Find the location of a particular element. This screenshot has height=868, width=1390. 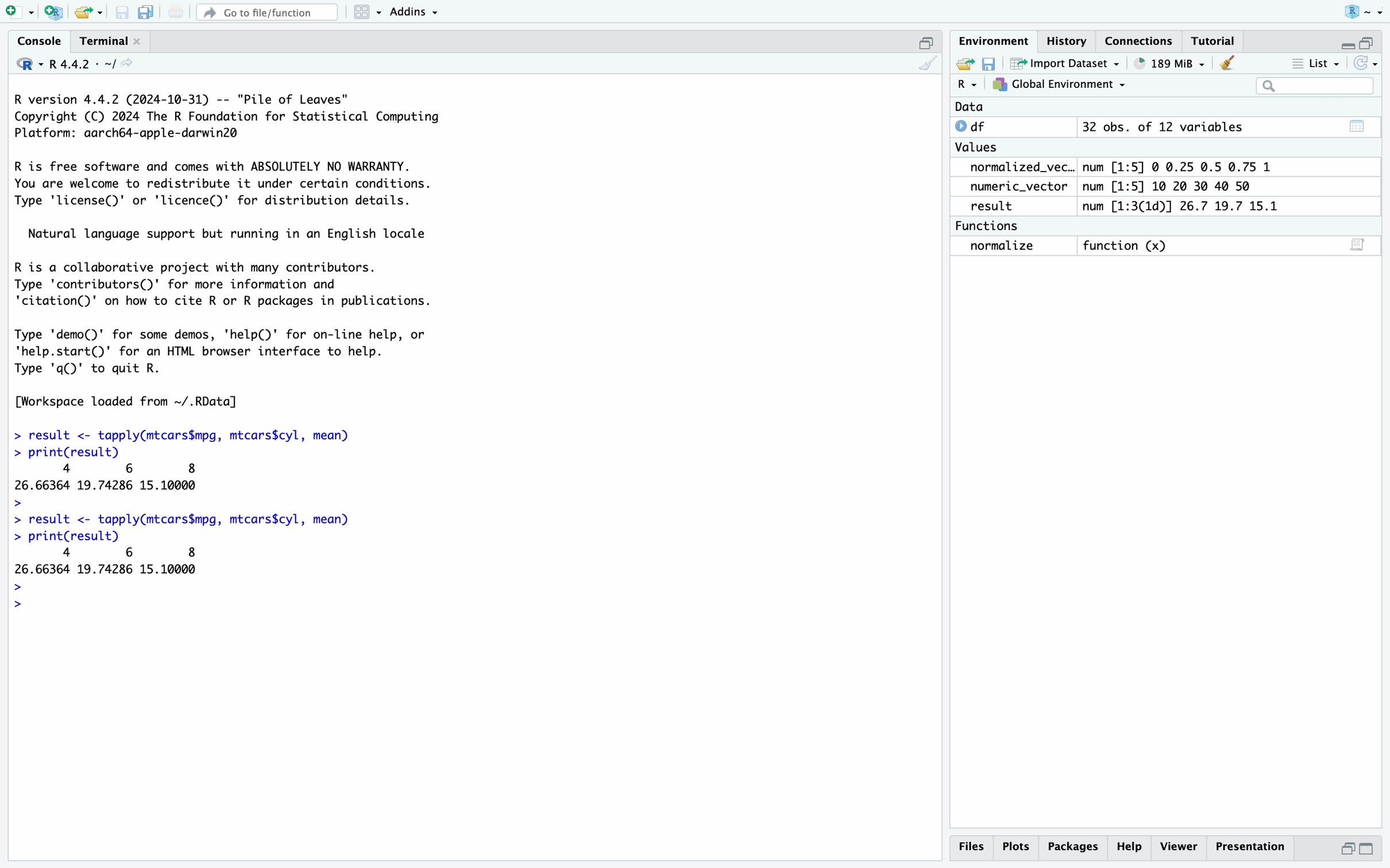

Show on script is located at coordinates (1356, 245).